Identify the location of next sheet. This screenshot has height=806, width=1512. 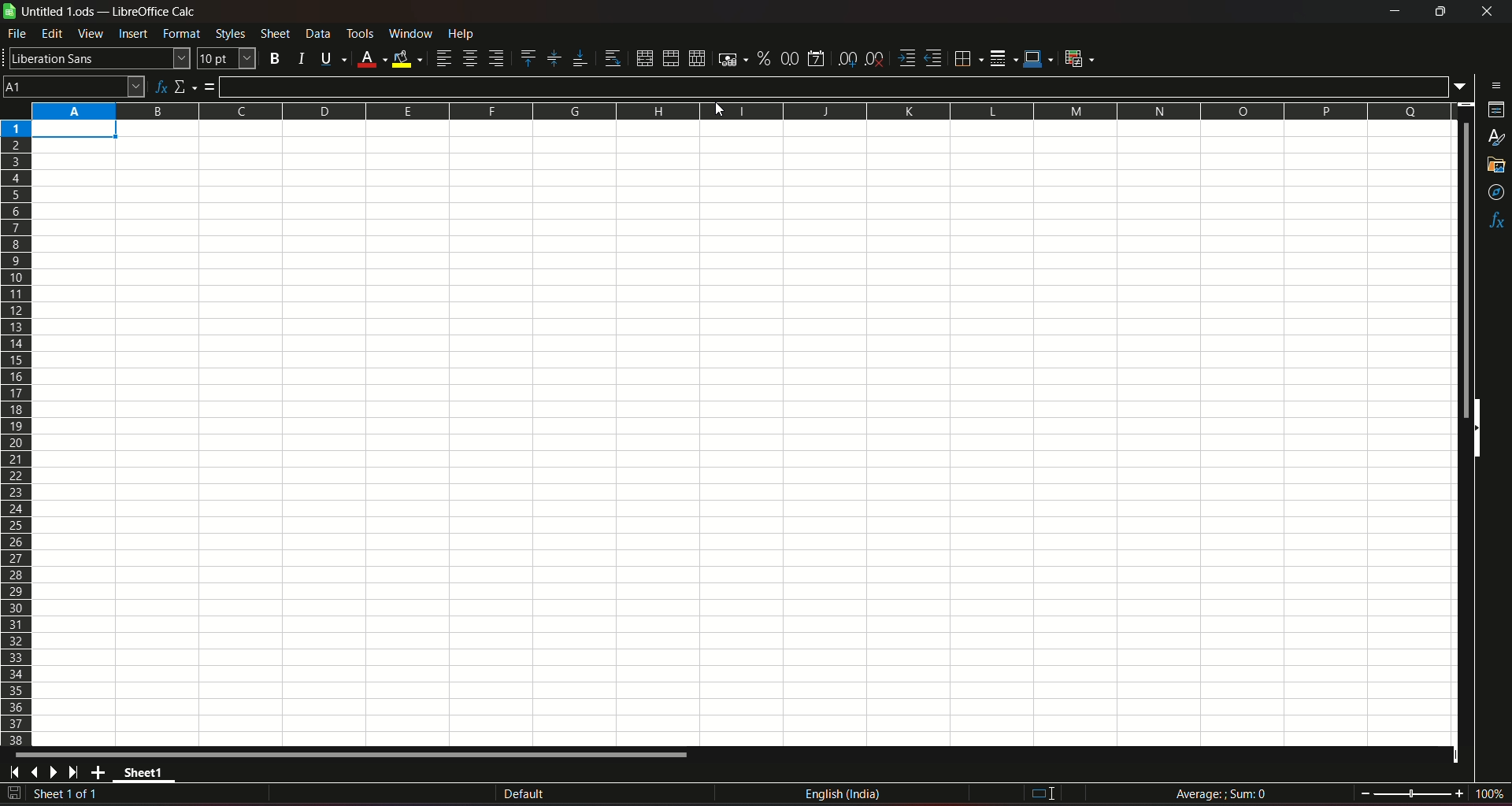
(57, 773).